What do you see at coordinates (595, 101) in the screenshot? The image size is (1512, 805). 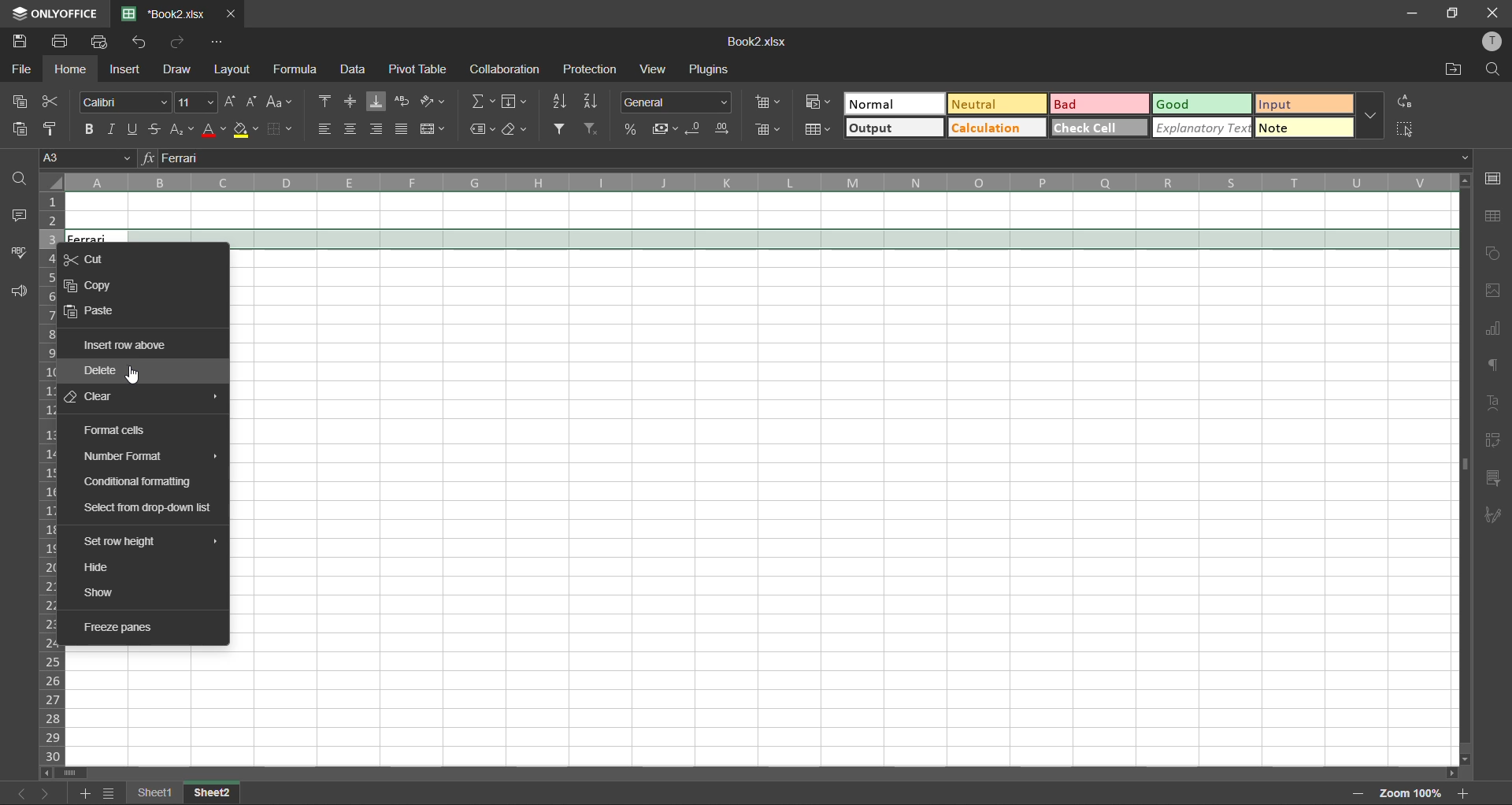 I see `sort descending` at bounding box center [595, 101].